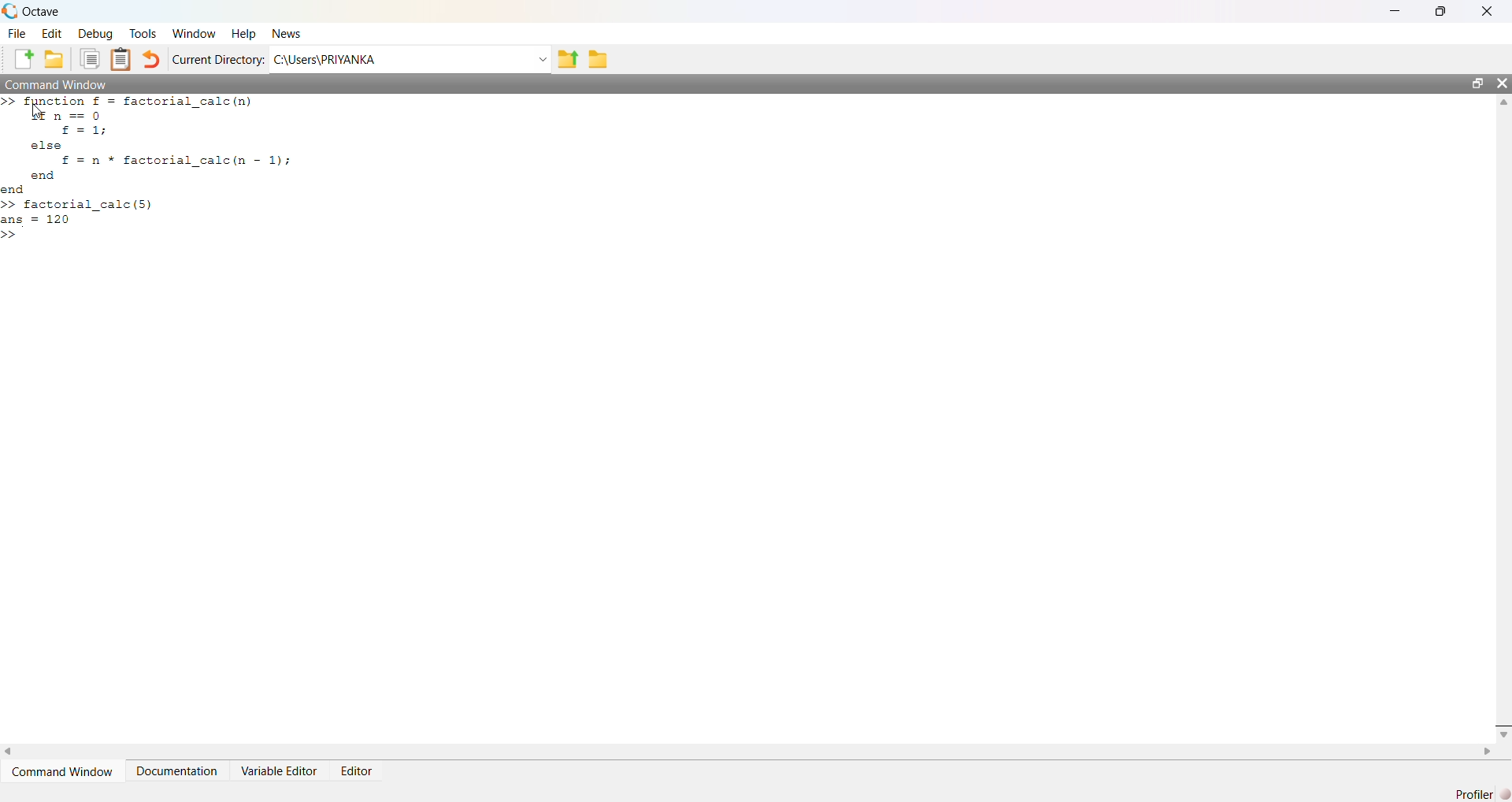 The width and height of the screenshot is (1512, 802). What do you see at coordinates (600, 59) in the screenshot?
I see `folder` at bounding box center [600, 59].